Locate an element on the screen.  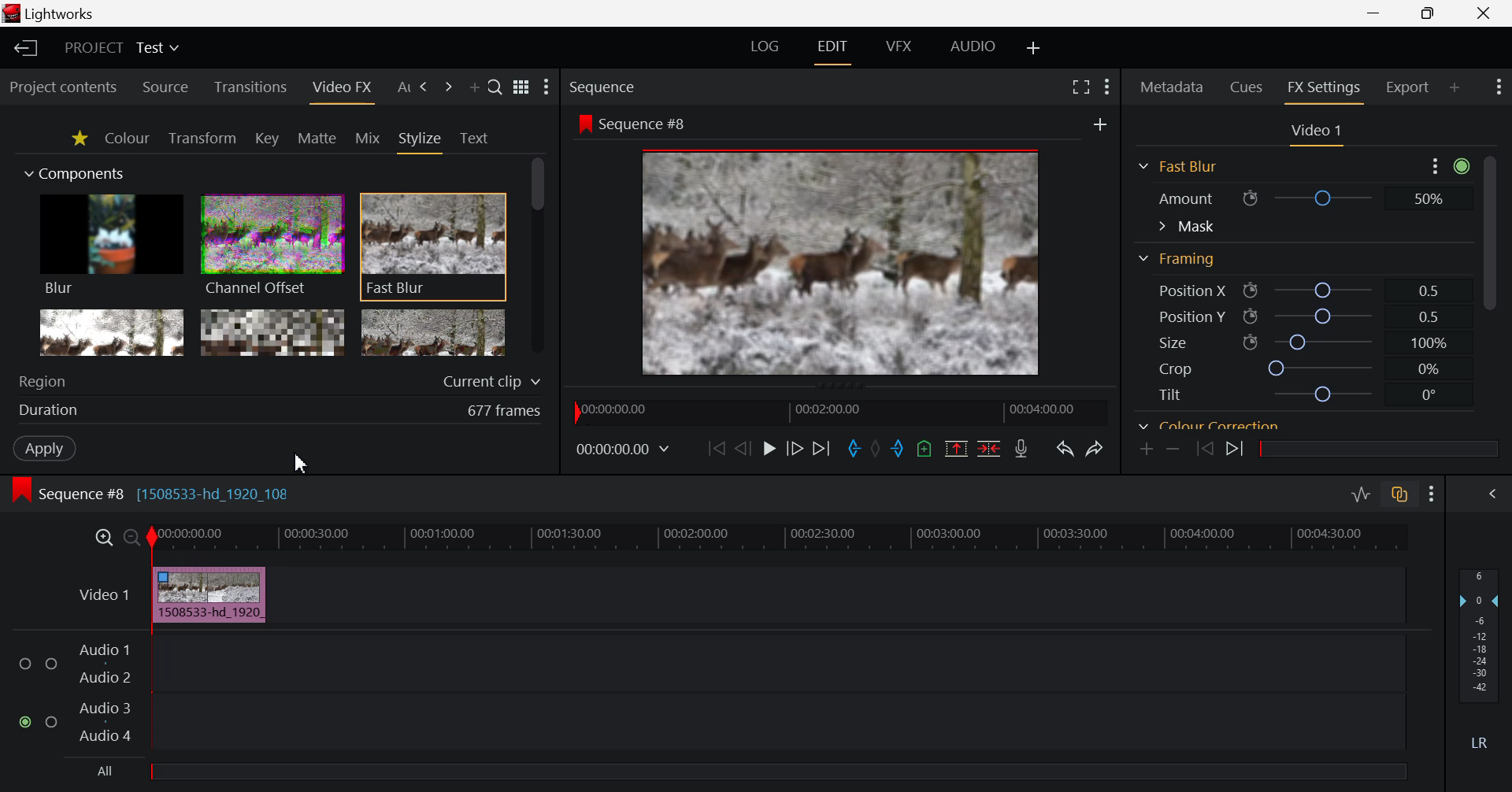
Project Timeline is located at coordinates (779, 536).